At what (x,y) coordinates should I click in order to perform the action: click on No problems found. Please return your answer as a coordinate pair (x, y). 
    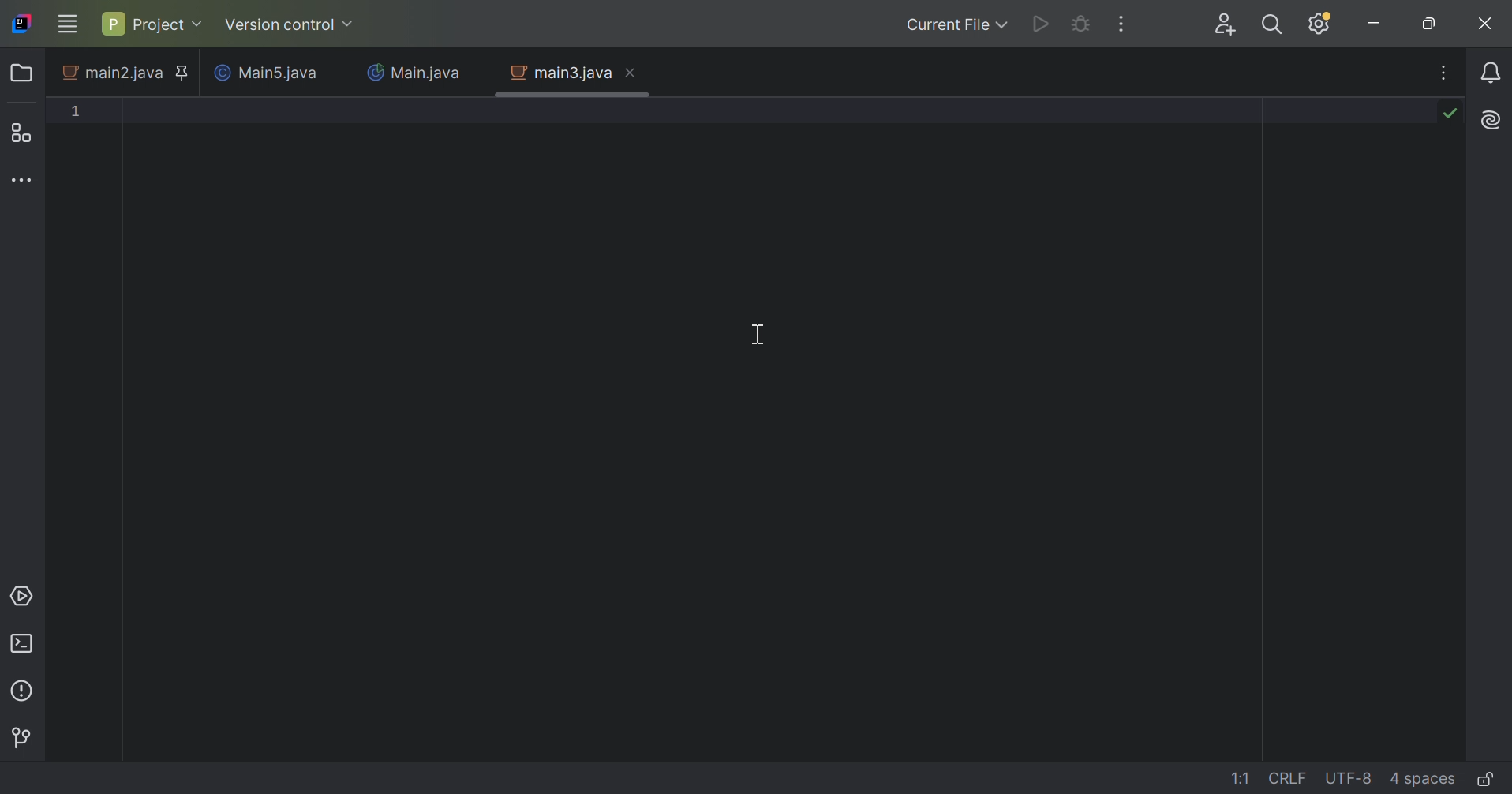
    Looking at the image, I should click on (1450, 114).